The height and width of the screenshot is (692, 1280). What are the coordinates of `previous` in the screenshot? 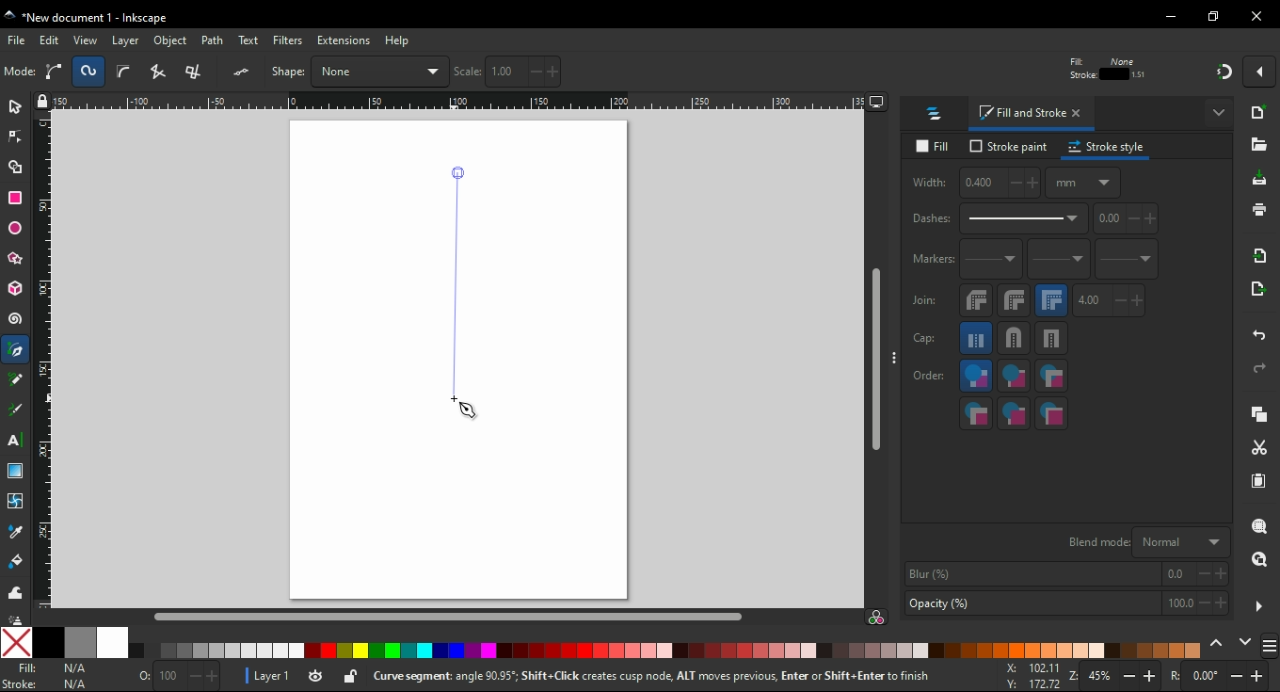 It's located at (1219, 644).